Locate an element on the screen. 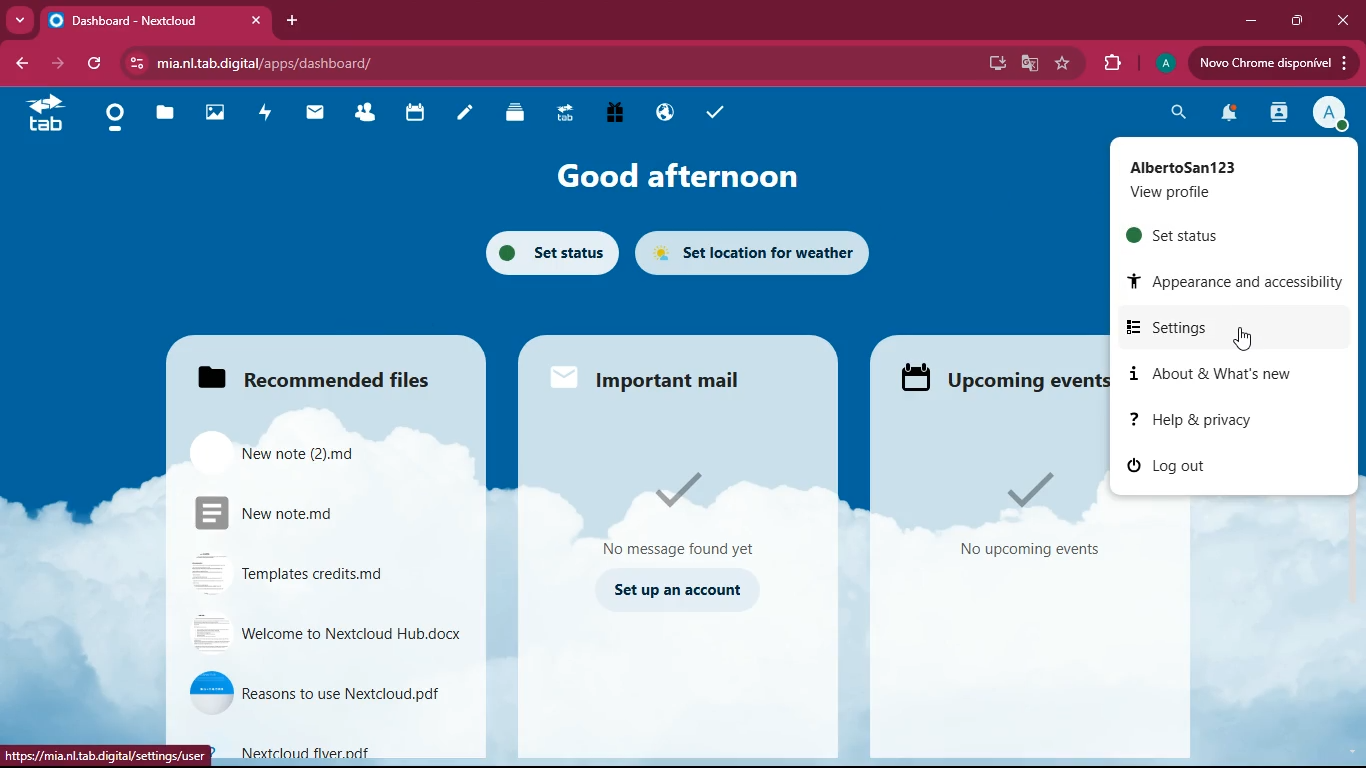  activity is located at coordinates (1276, 114).